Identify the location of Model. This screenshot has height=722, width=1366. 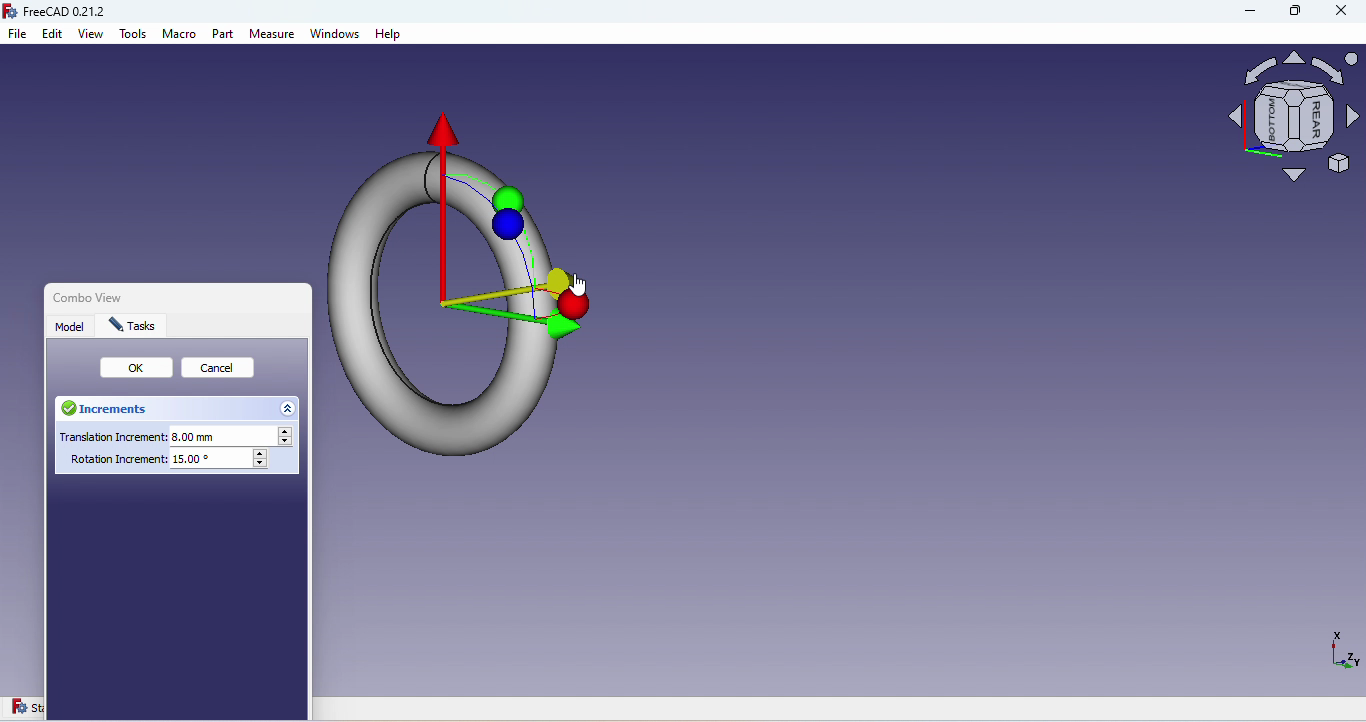
(72, 326).